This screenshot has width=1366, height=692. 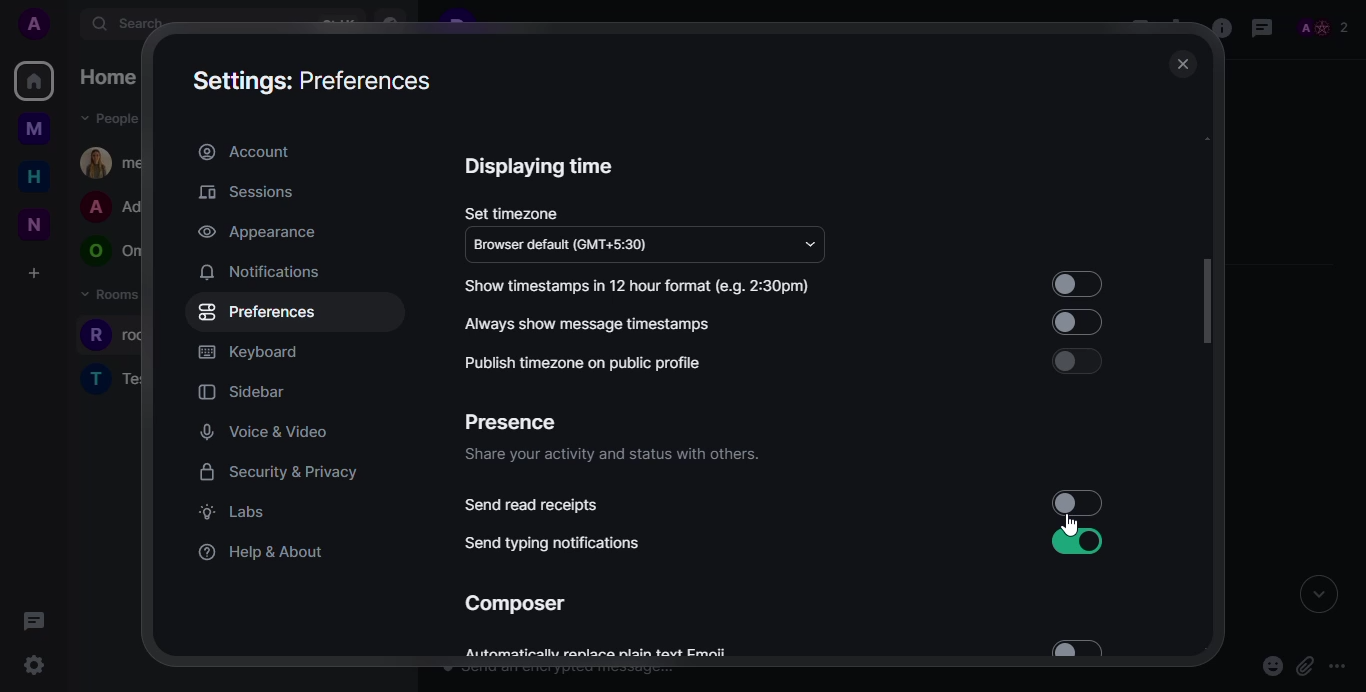 What do you see at coordinates (258, 311) in the screenshot?
I see `preferences` at bounding box center [258, 311].